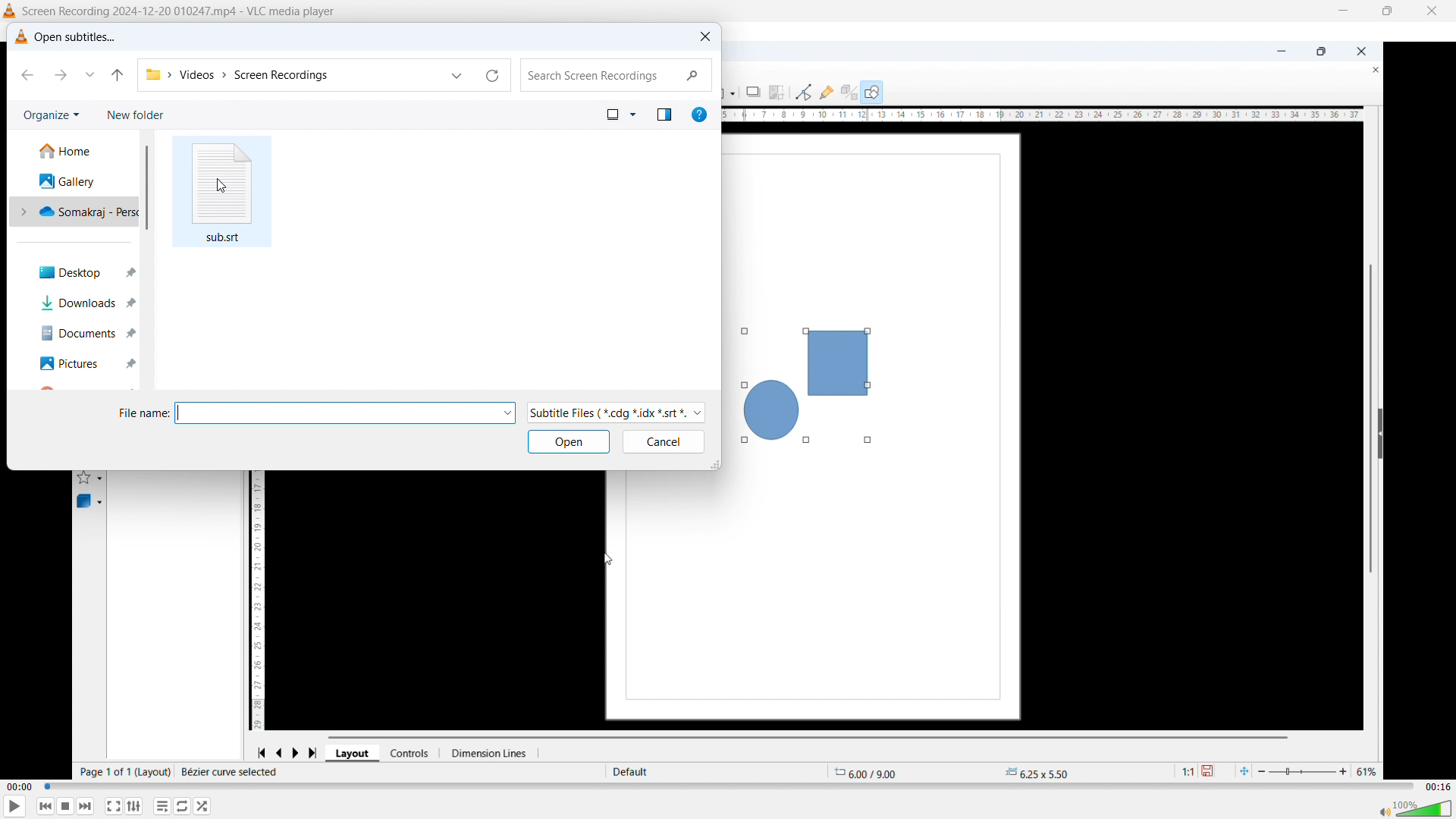 This screenshot has height=819, width=1456. I want to click on Previous locations , so click(89, 74).